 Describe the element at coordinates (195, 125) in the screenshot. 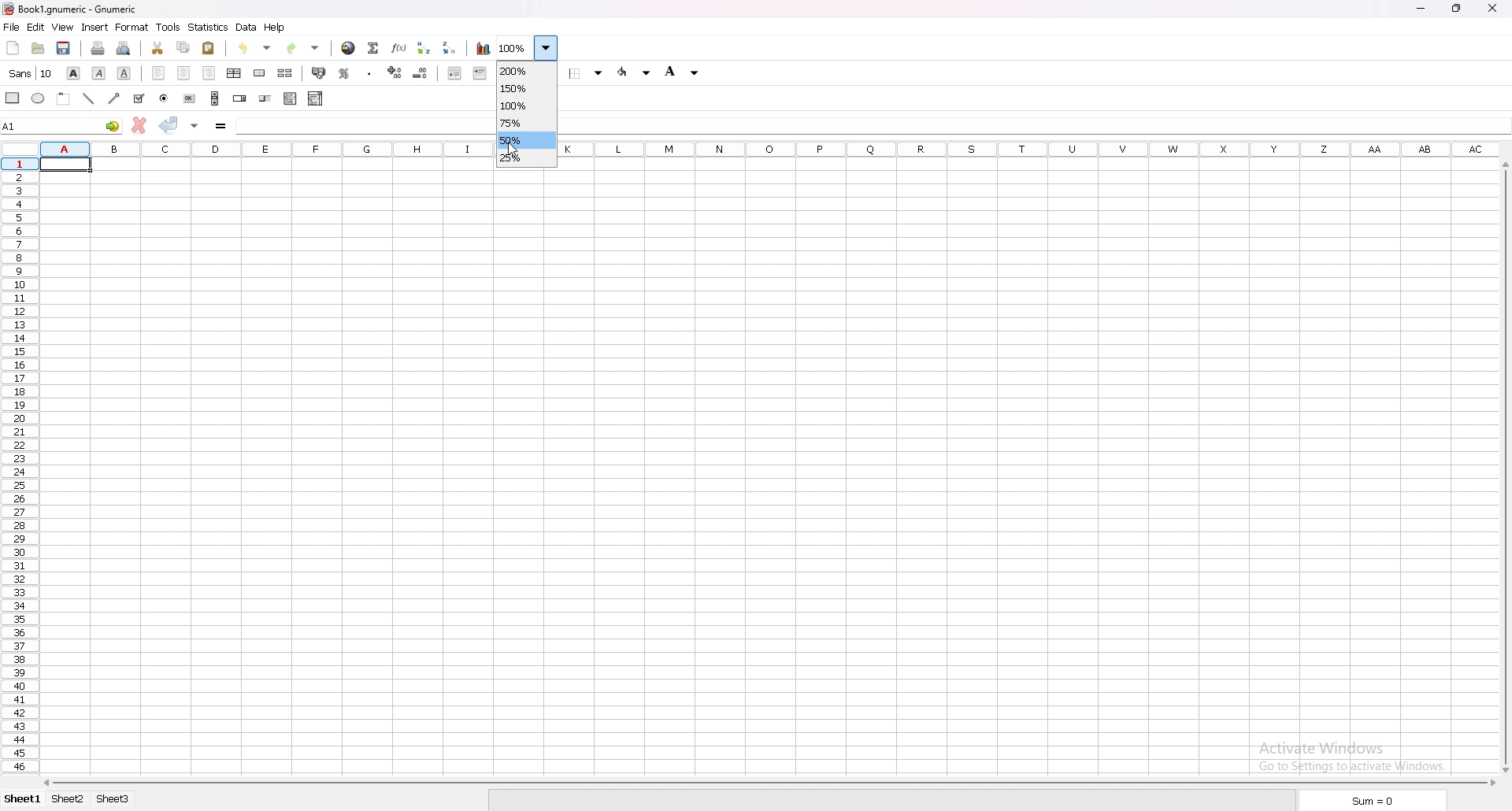

I see `accept changes in multiple cells` at that location.